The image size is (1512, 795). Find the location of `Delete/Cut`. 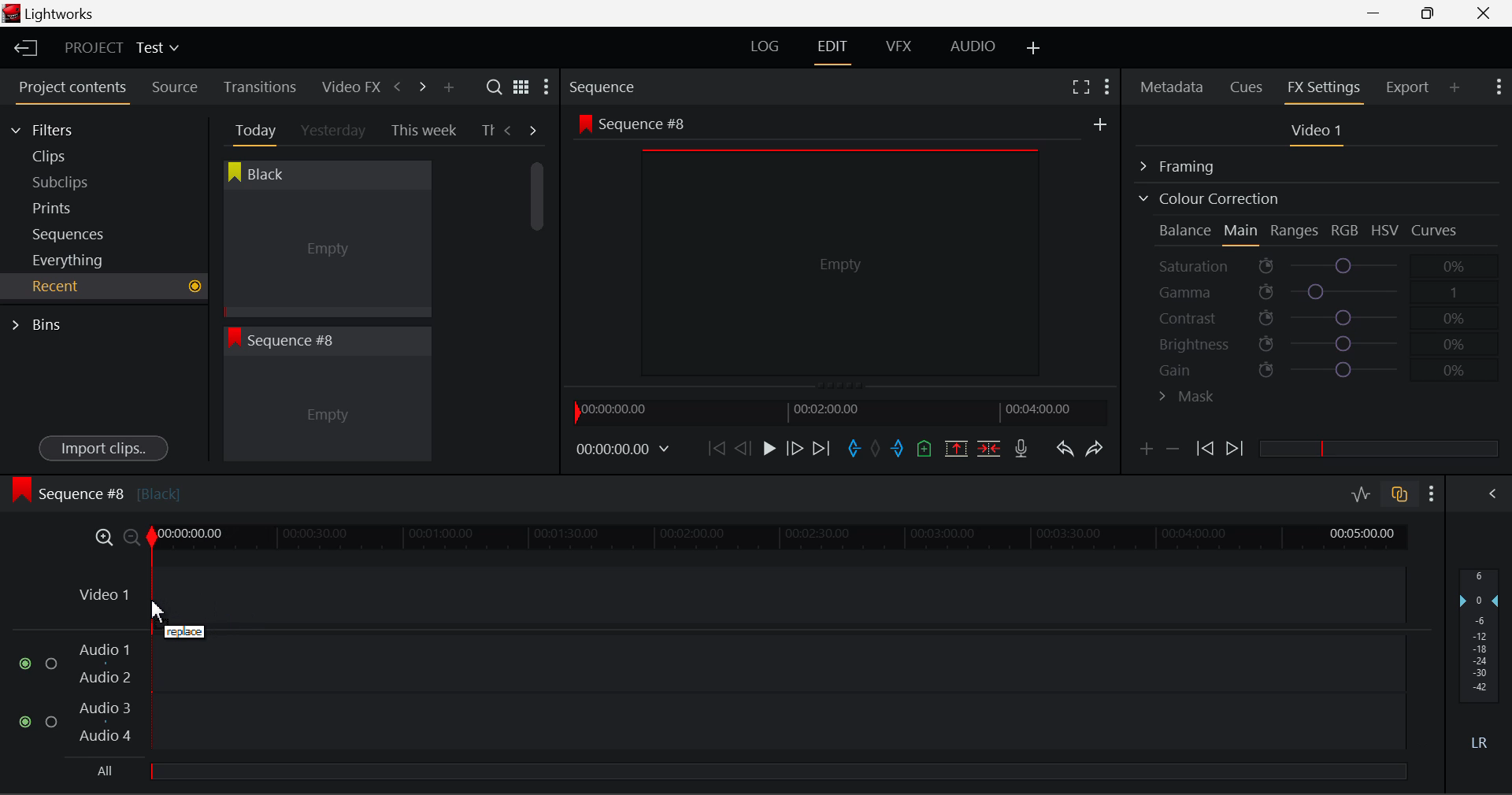

Delete/Cut is located at coordinates (989, 448).